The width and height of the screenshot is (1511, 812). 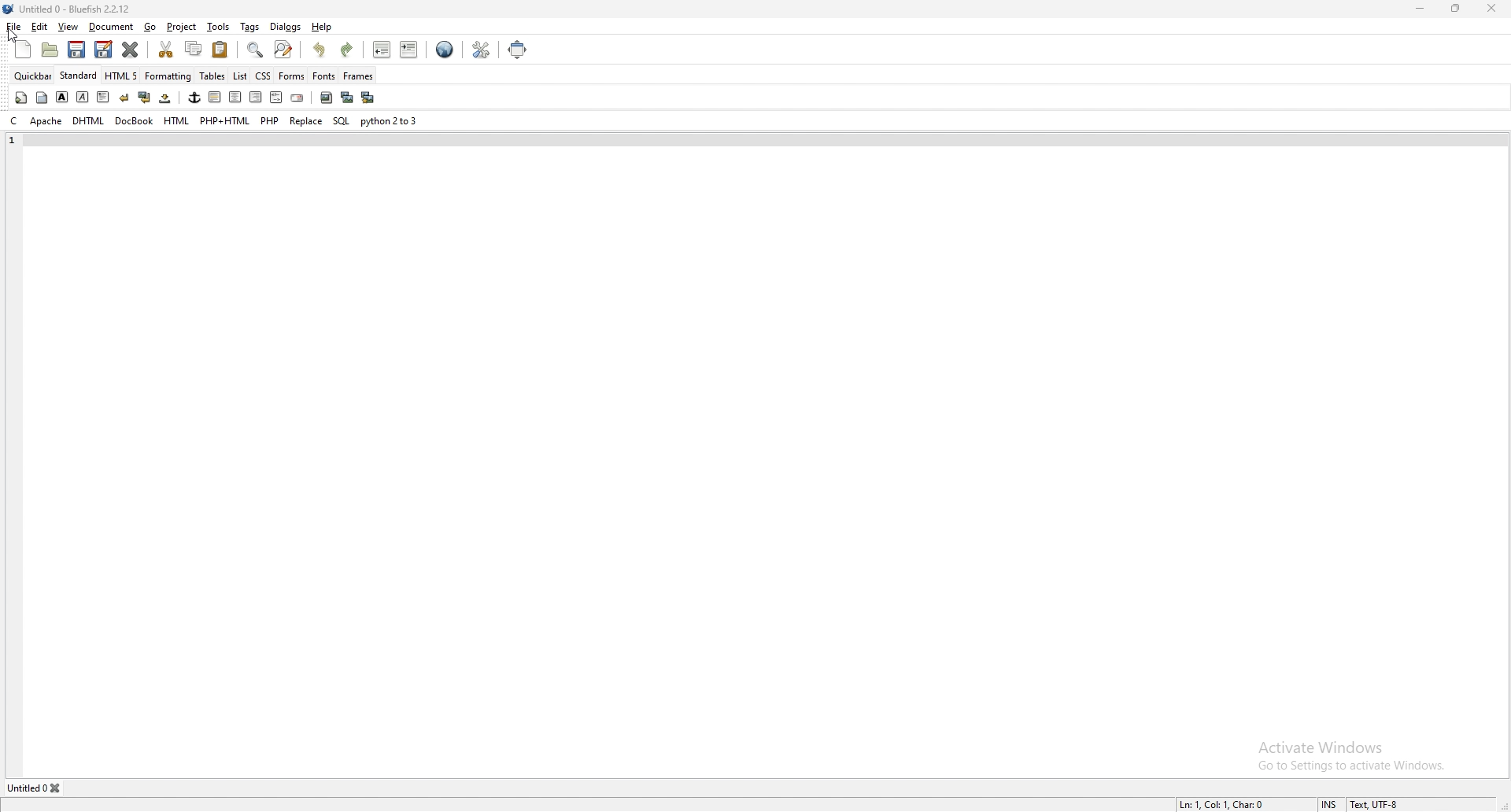 I want to click on php, so click(x=271, y=121).